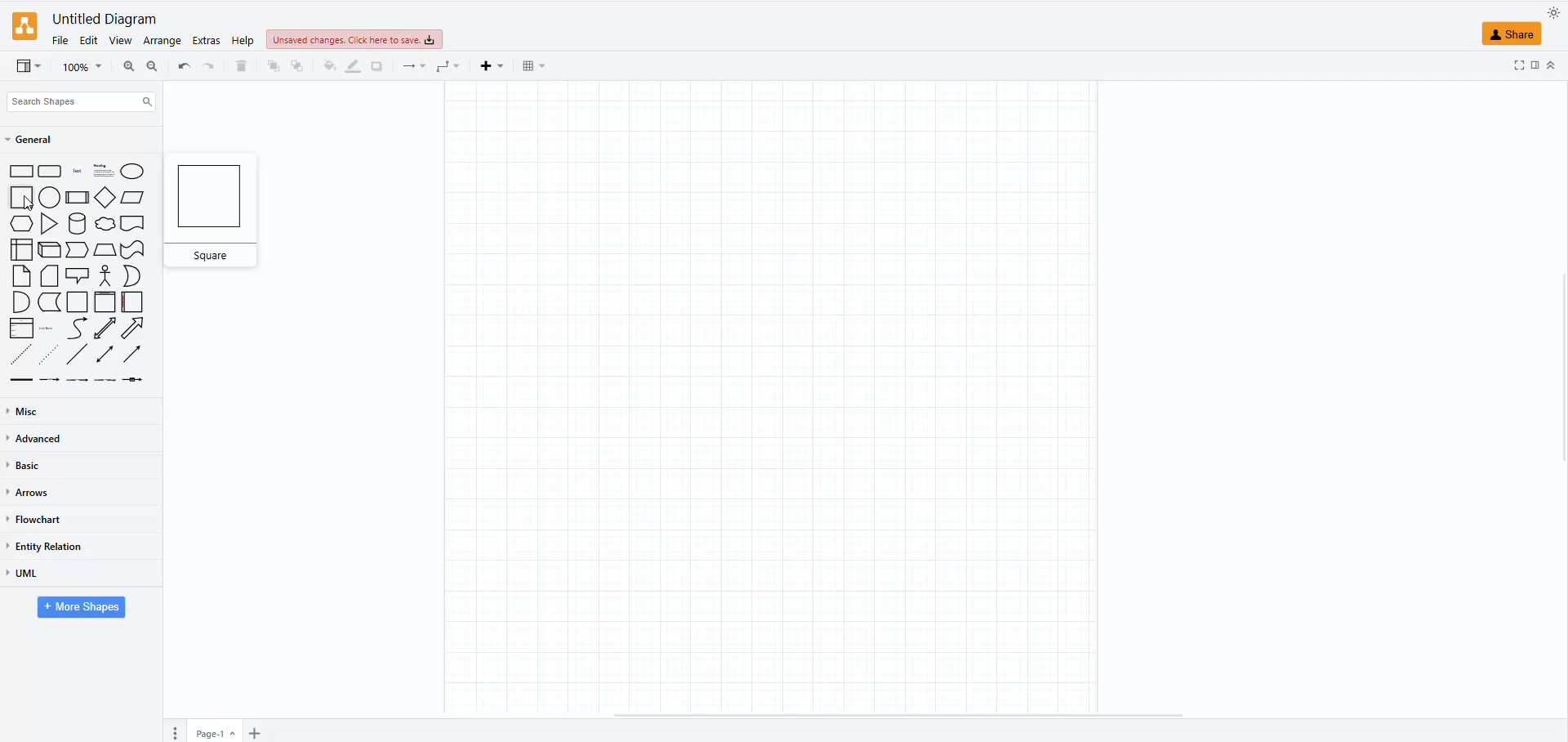 This screenshot has width=1568, height=742. I want to click on cylinder, so click(78, 226).